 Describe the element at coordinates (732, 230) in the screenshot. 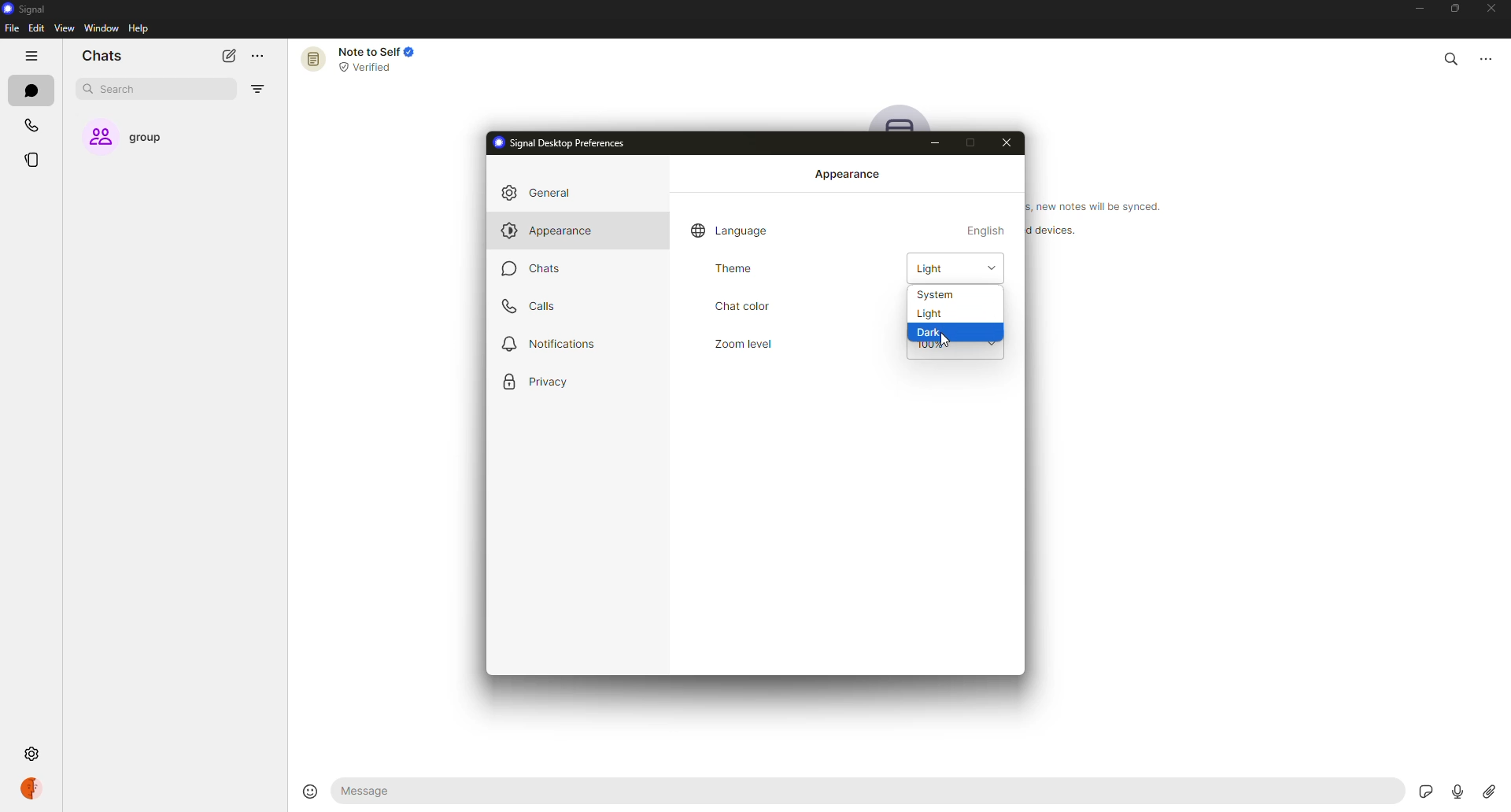

I see `language` at that location.